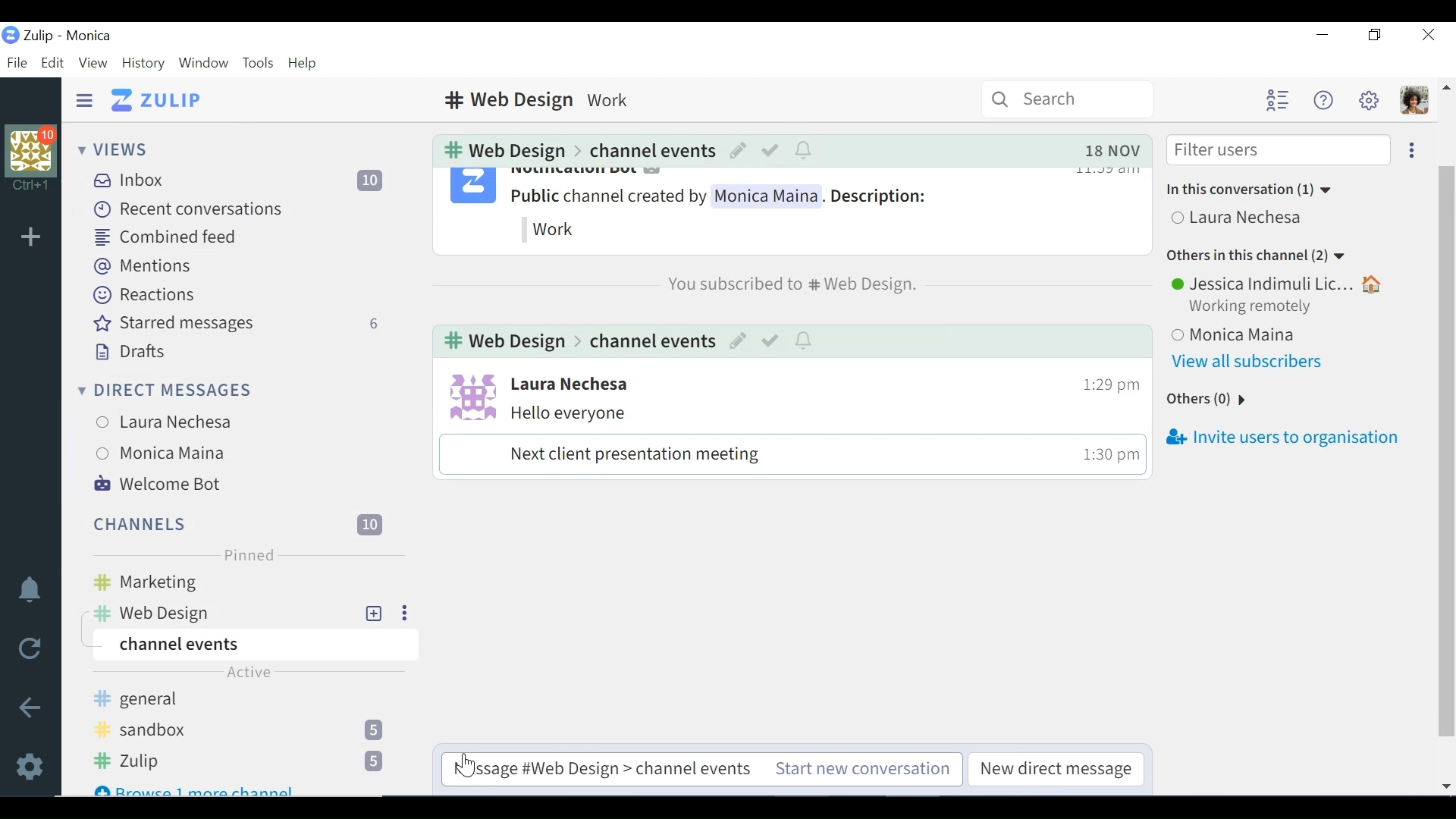  I want to click on notification bot messages, so click(745, 209).